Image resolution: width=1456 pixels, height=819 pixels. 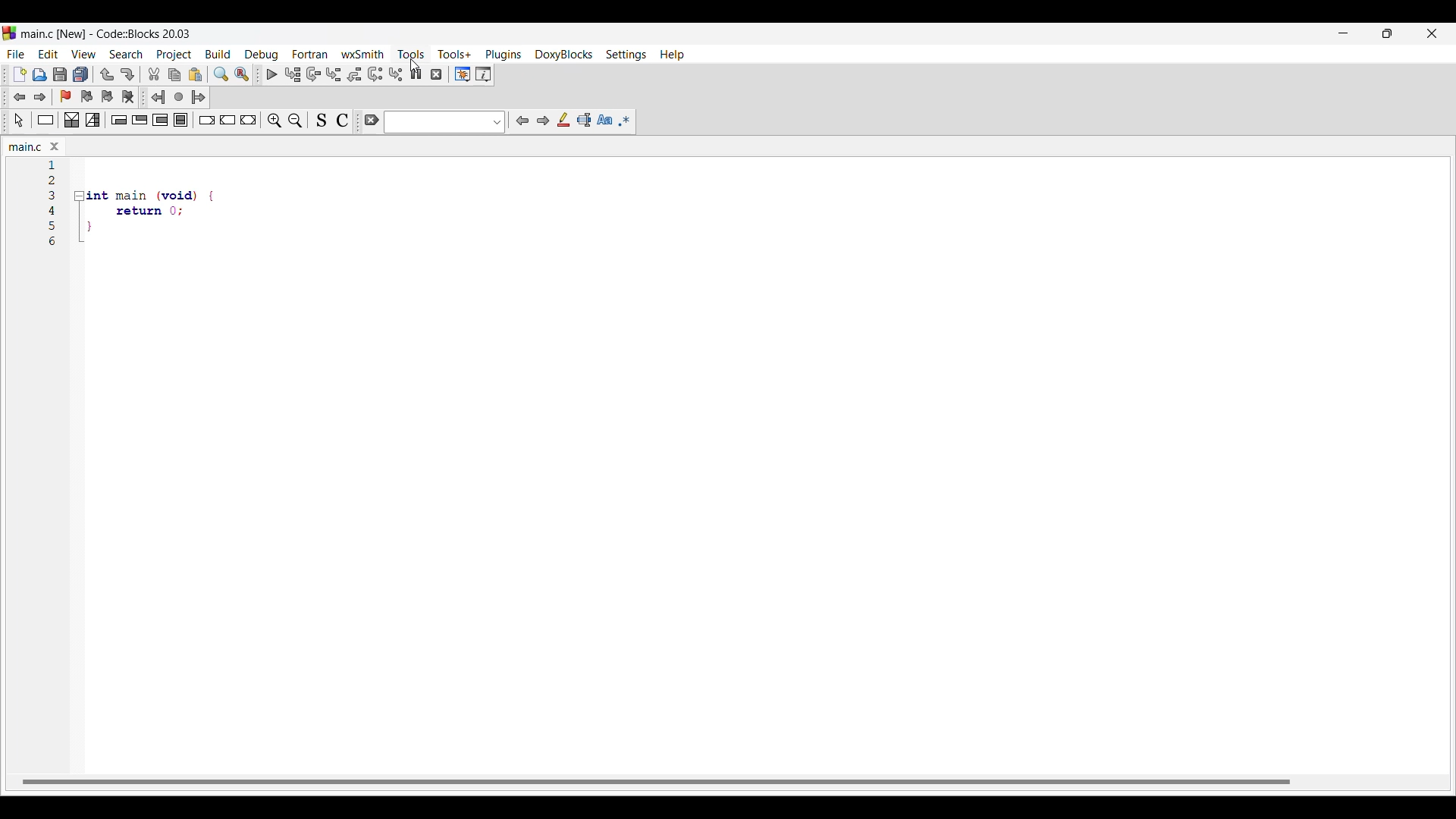 I want to click on Jump back, so click(x=158, y=97).